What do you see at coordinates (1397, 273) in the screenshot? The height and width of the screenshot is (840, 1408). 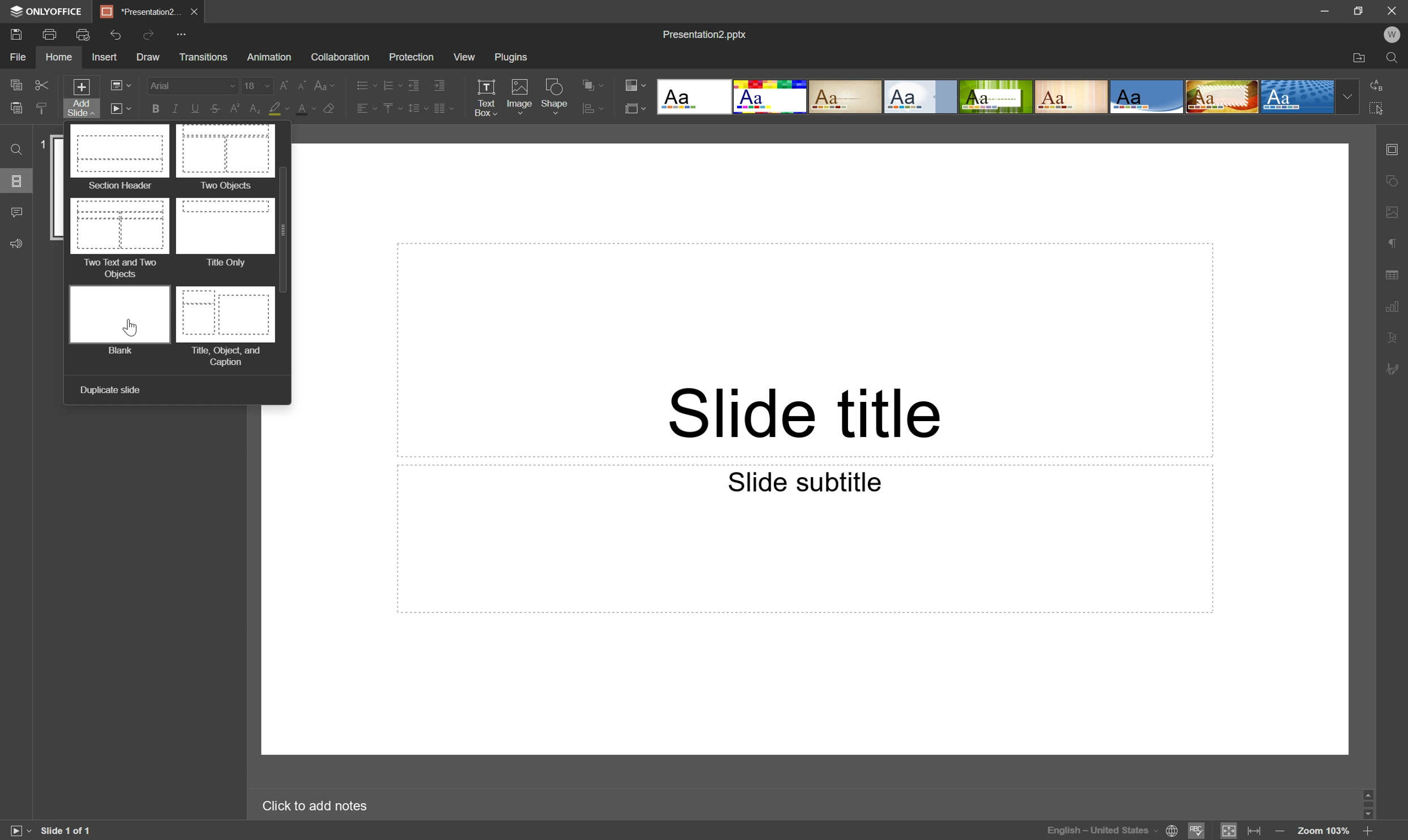 I see `Table settings` at bounding box center [1397, 273].